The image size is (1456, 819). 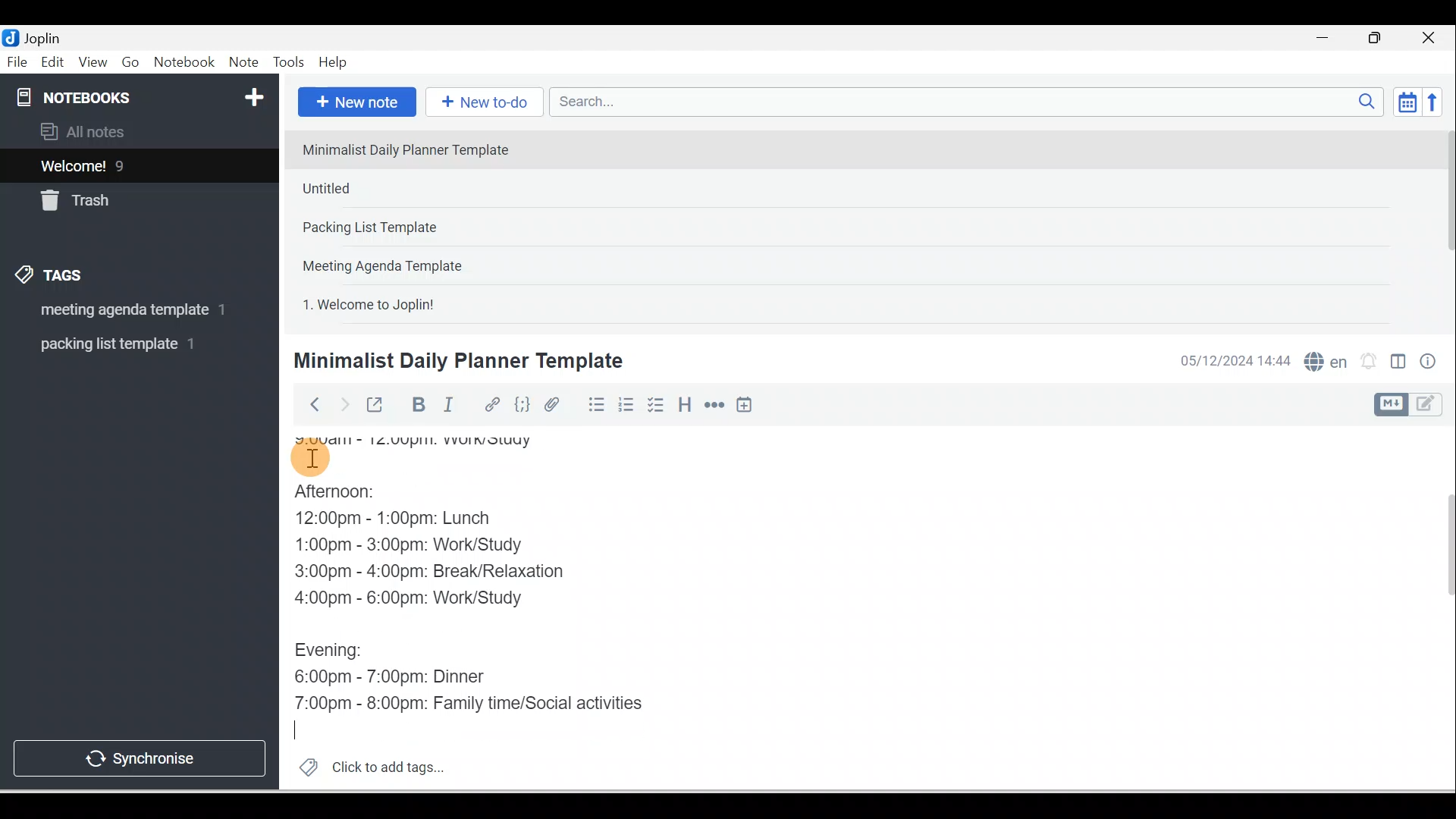 I want to click on Note 1, so click(x=416, y=149).